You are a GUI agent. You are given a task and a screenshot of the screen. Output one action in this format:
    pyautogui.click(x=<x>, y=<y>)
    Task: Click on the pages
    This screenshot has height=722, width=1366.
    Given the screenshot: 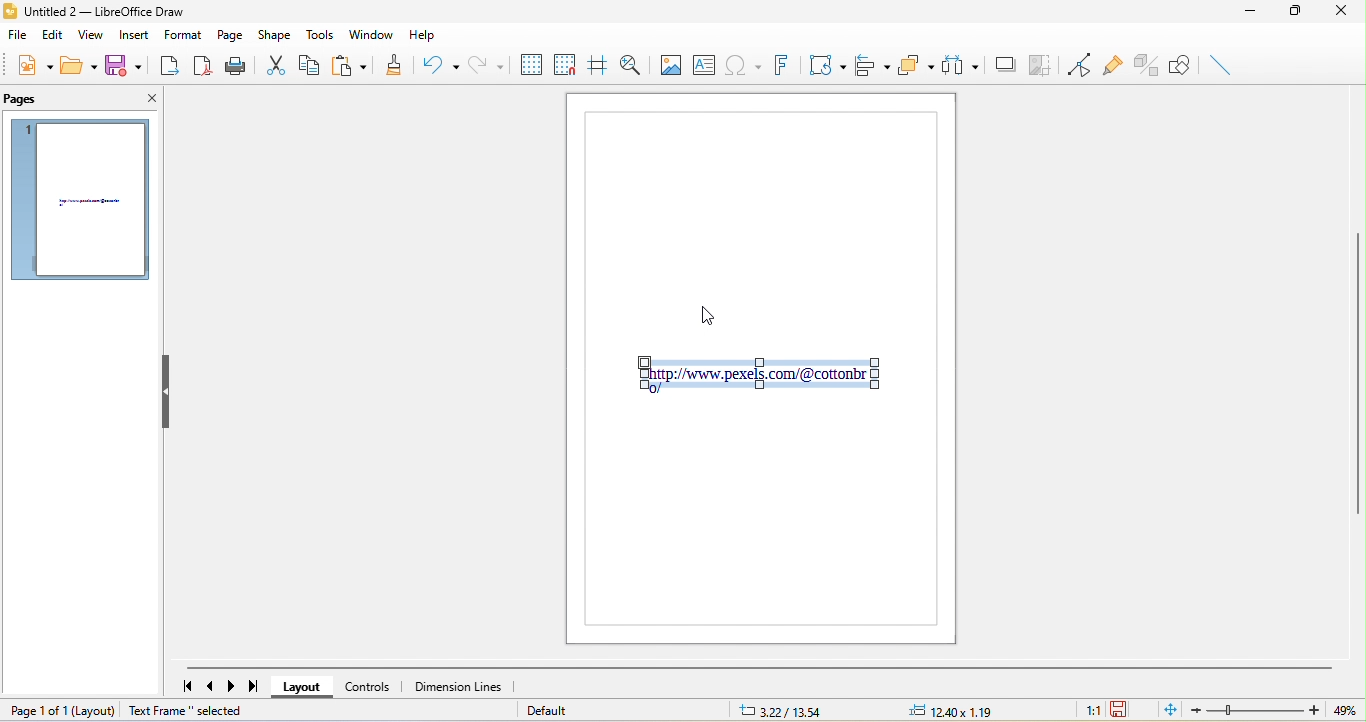 What is the action you would take?
    pyautogui.click(x=45, y=100)
    